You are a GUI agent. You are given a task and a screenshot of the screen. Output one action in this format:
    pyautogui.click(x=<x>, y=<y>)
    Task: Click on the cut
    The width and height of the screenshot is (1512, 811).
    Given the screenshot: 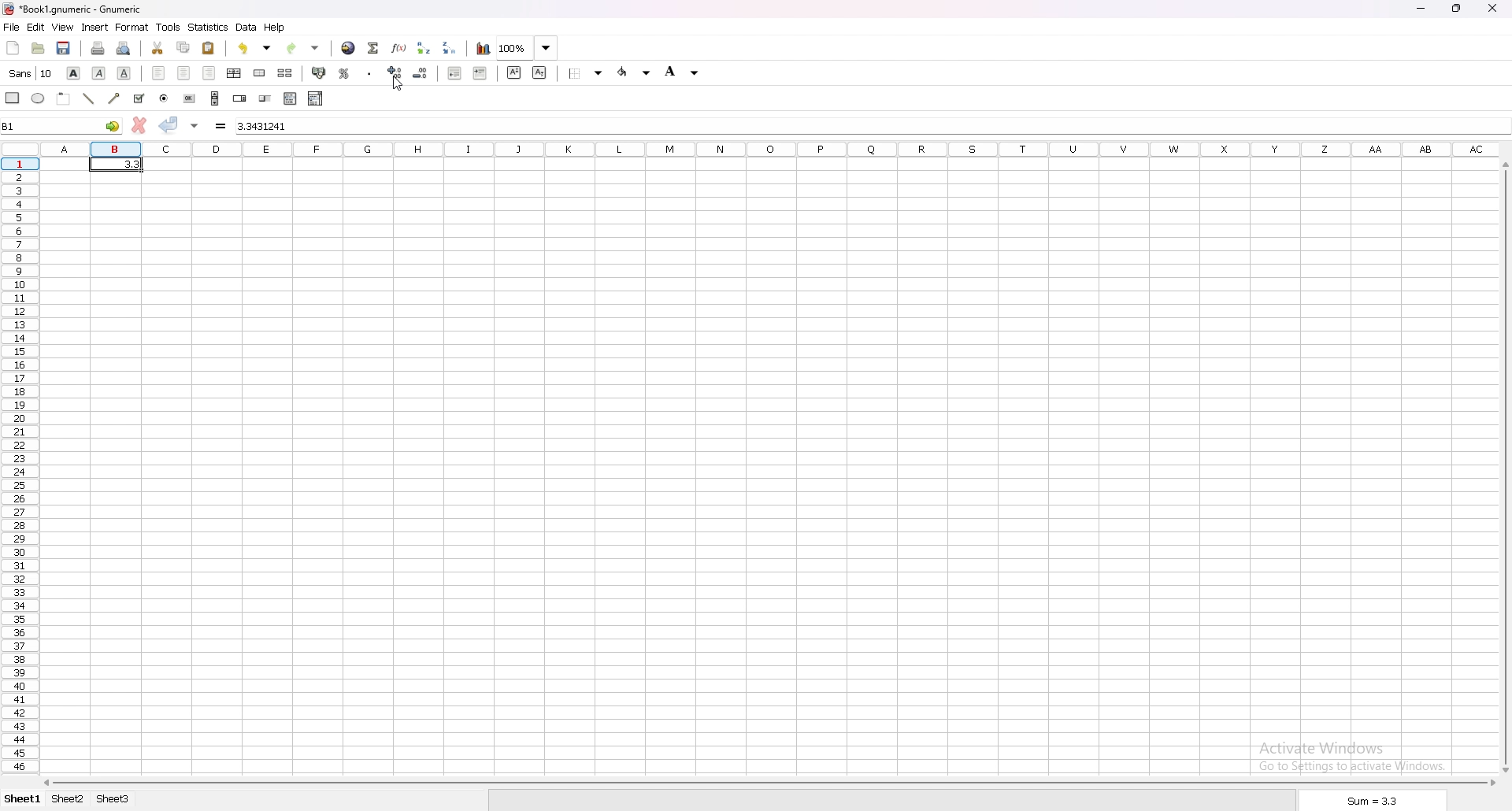 What is the action you would take?
    pyautogui.click(x=159, y=48)
    